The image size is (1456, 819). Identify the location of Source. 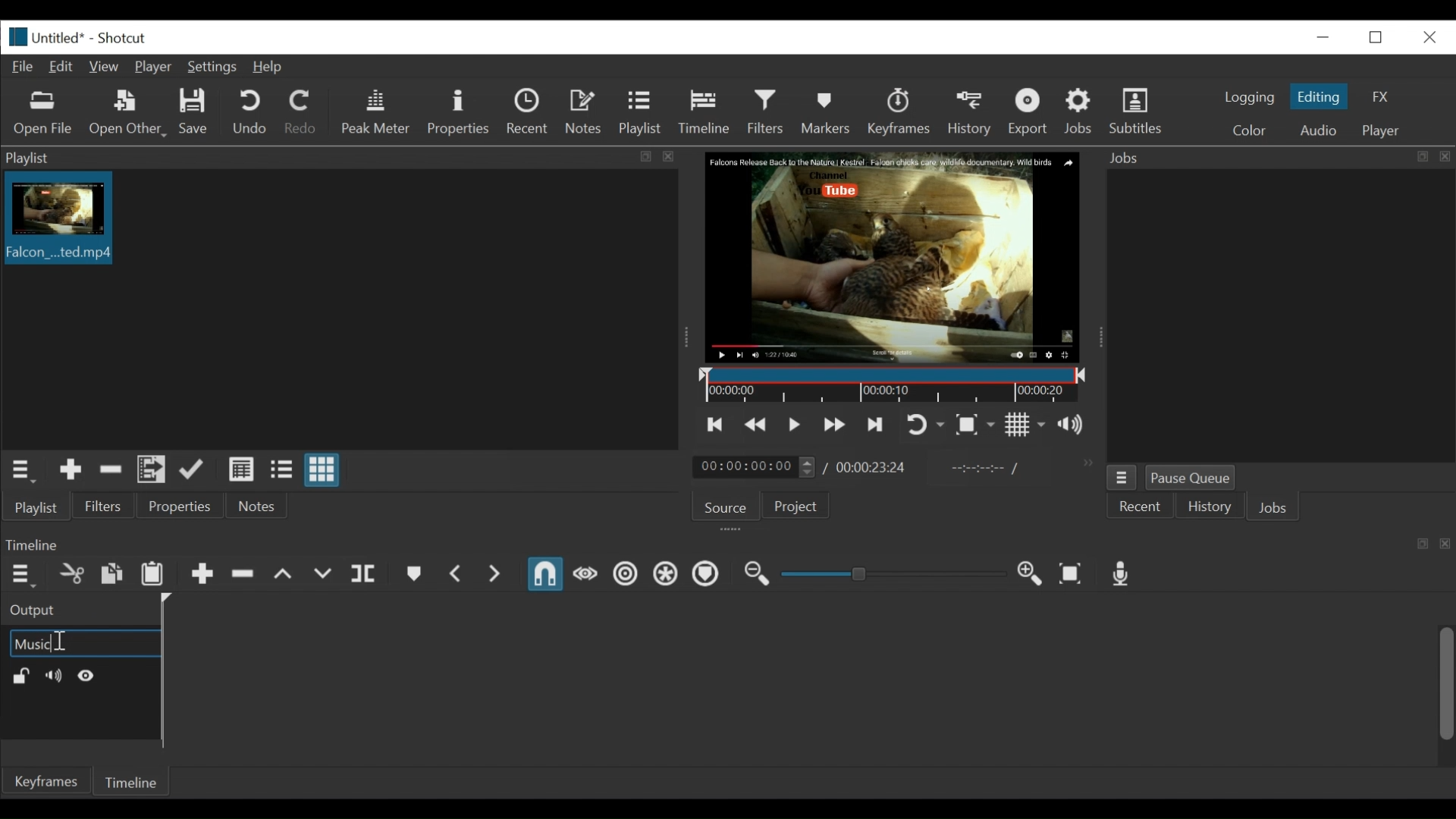
(722, 506).